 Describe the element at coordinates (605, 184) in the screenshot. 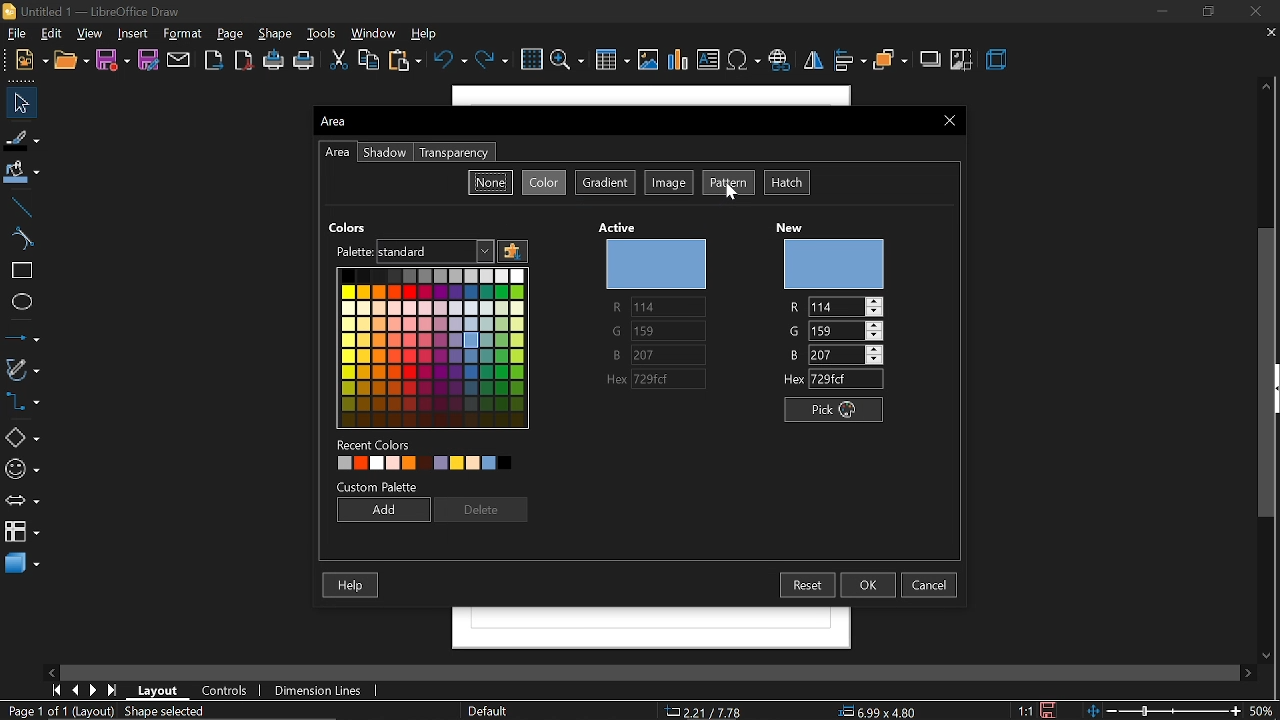

I see `gradient` at that location.